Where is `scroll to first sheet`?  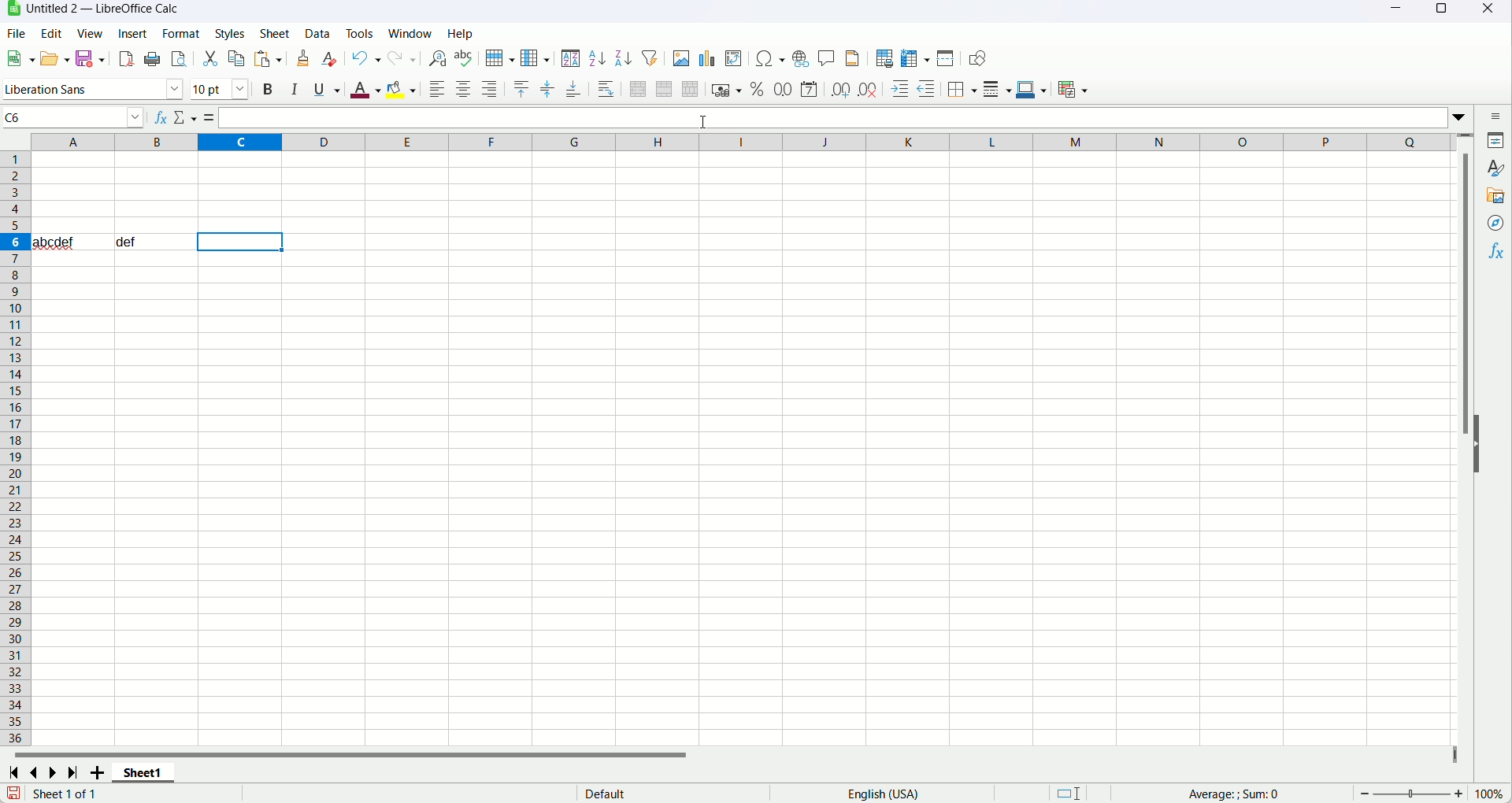 scroll to first sheet is located at coordinates (17, 771).